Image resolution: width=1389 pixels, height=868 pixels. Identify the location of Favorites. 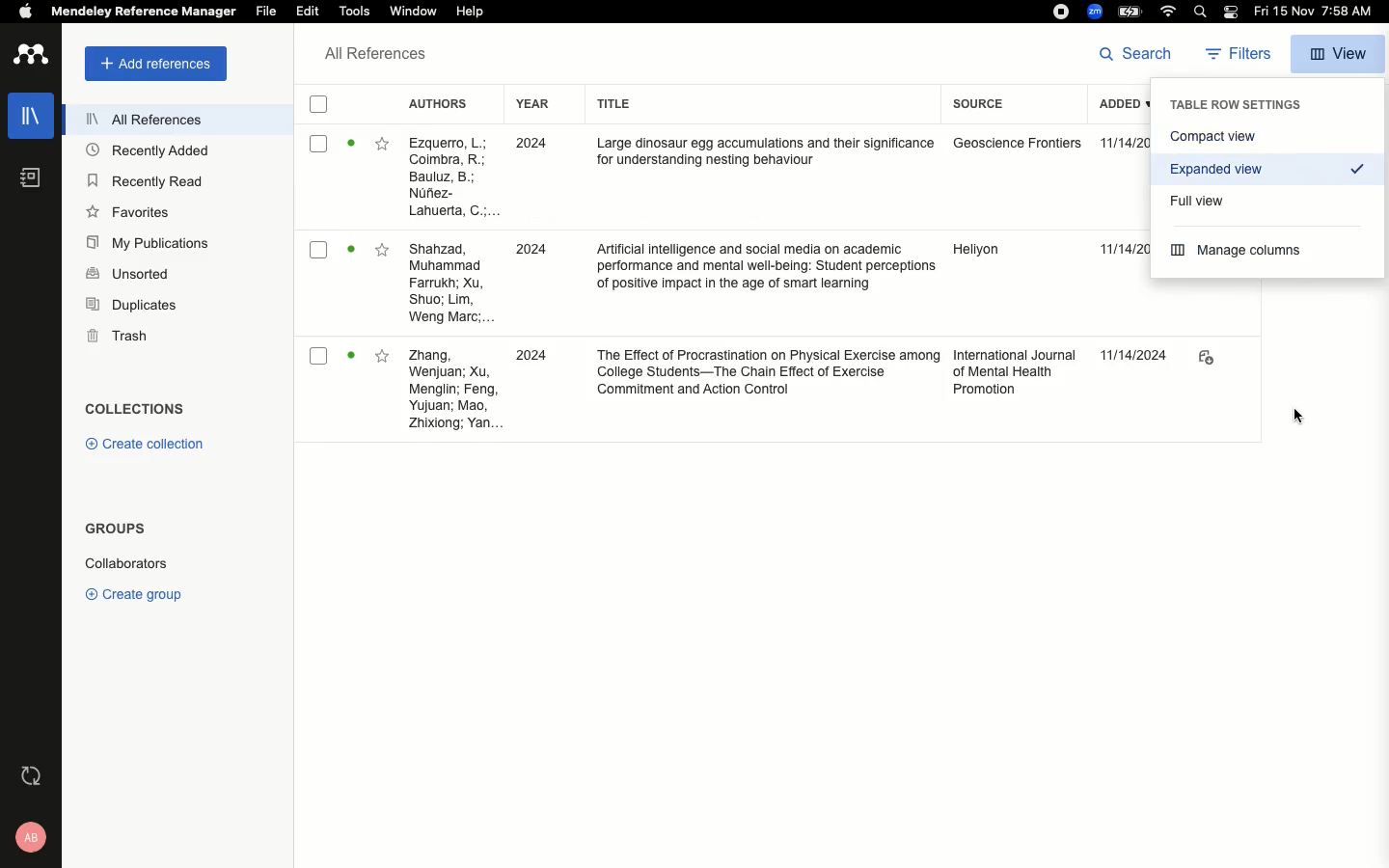
(383, 356).